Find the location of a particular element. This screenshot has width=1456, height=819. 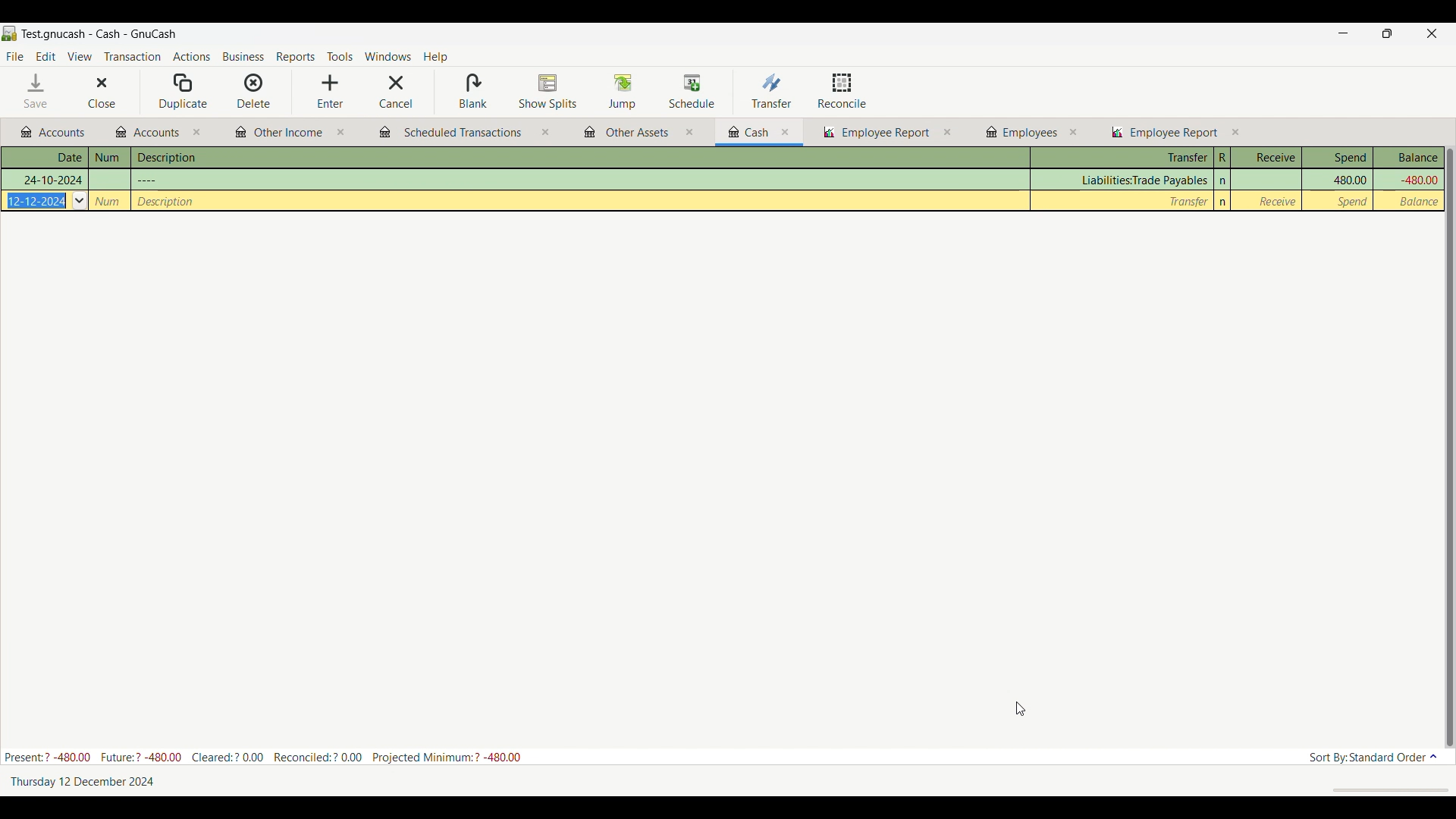

close is located at coordinates (785, 132).